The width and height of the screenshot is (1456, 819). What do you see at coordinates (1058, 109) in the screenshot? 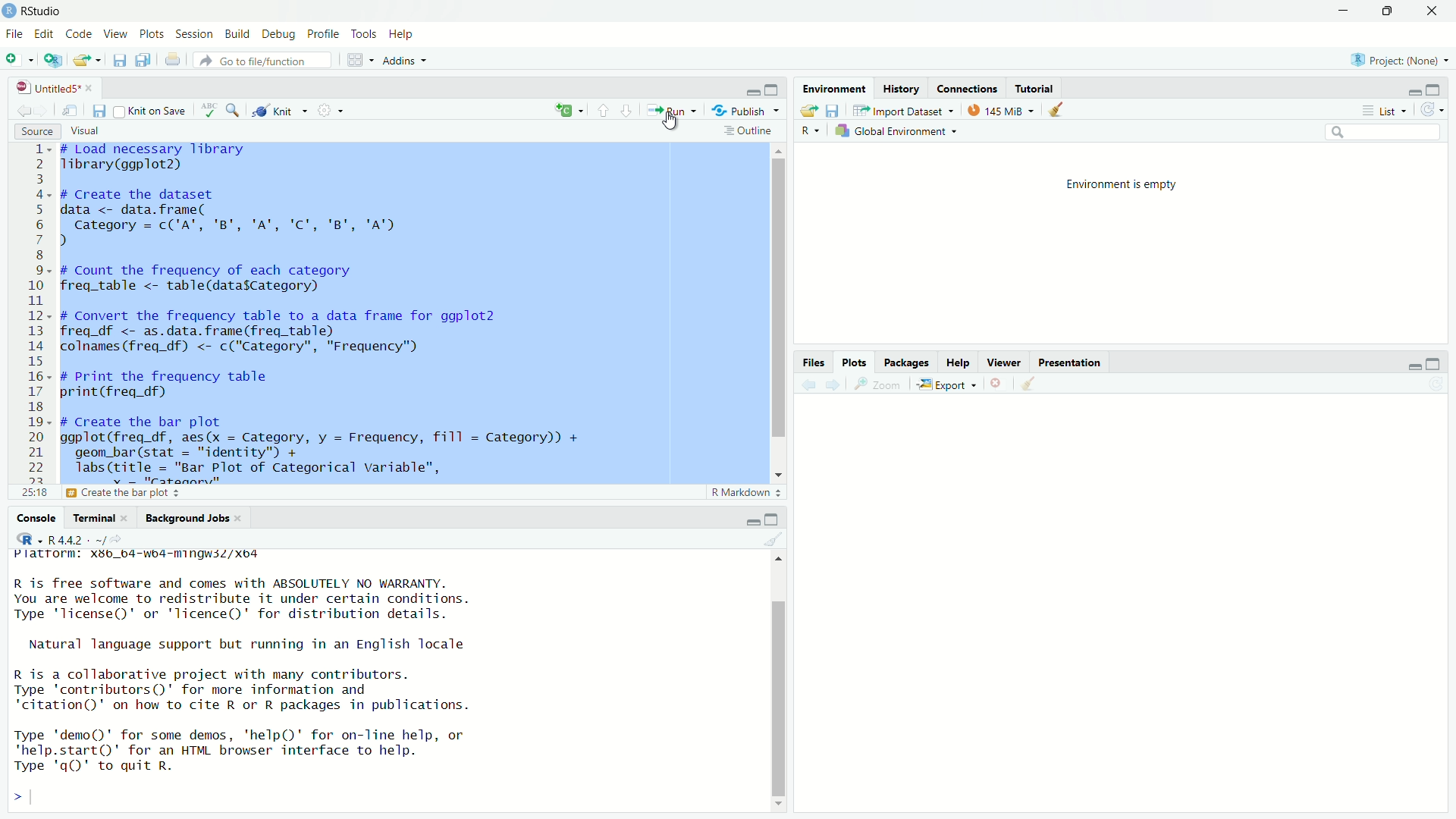
I see `clear data` at bounding box center [1058, 109].